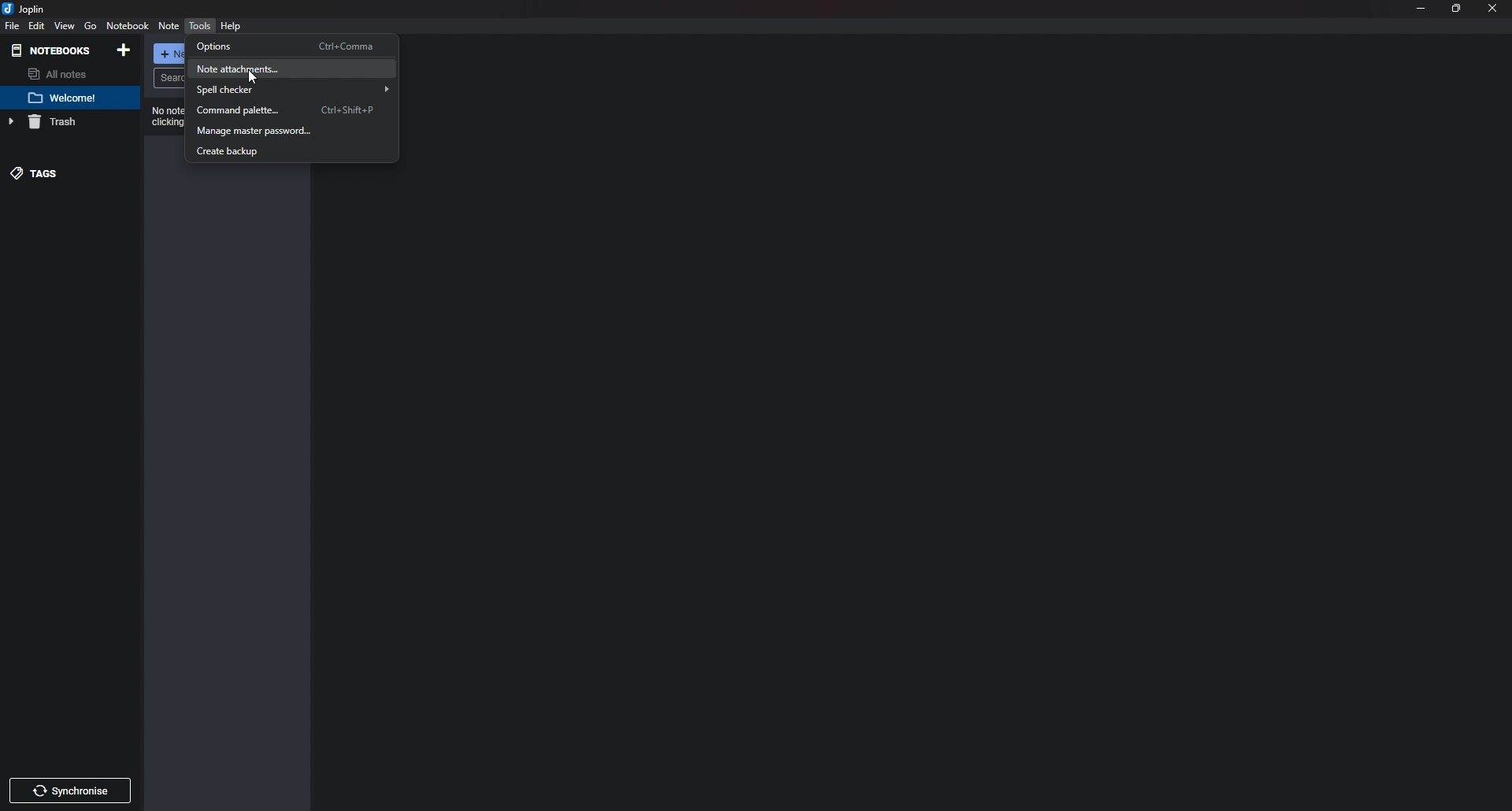 The image size is (1512, 811). What do you see at coordinates (294, 90) in the screenshot?
I see `Spell Checker` at bounding box center [294, 90].